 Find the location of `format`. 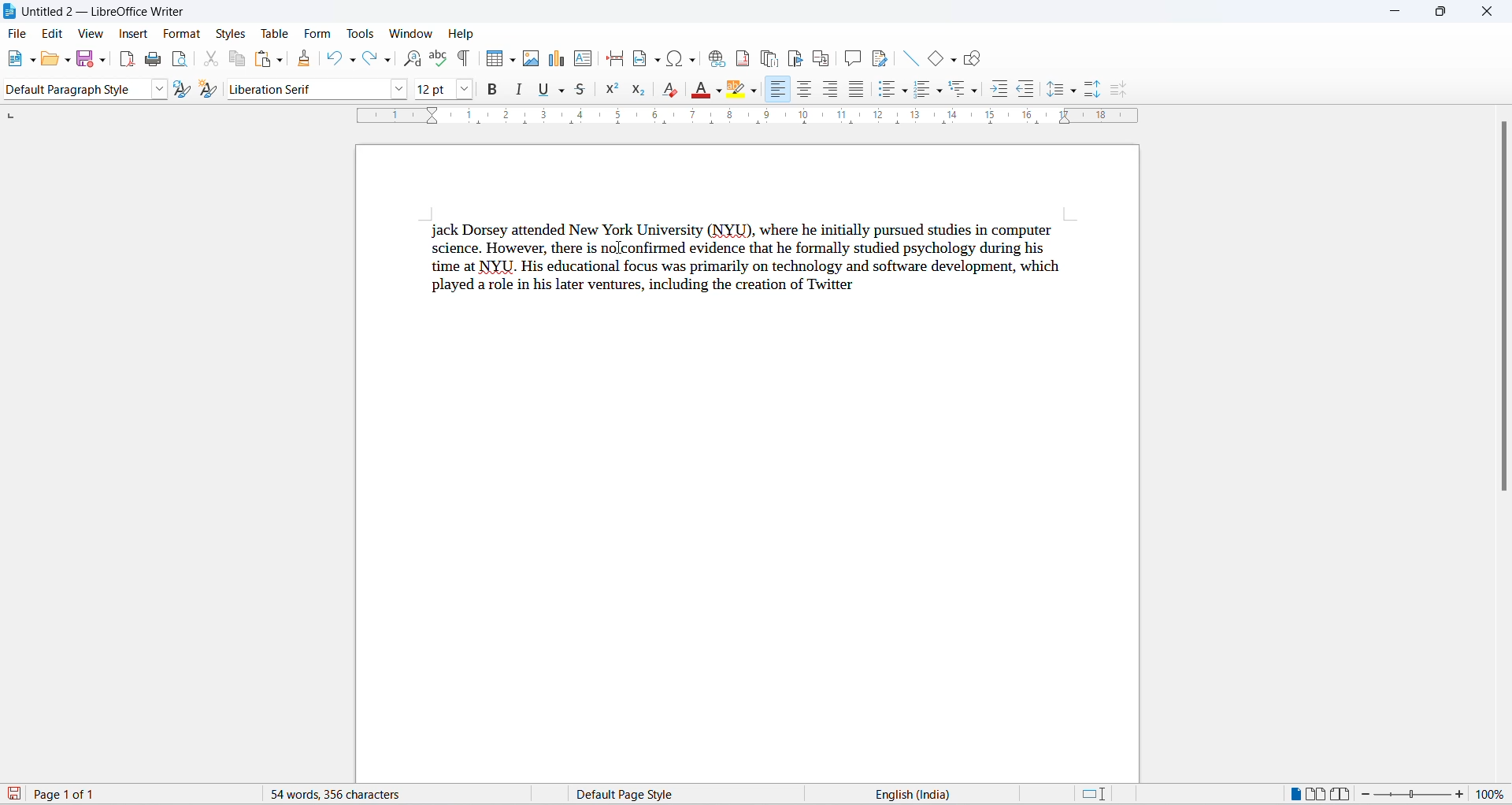

format is located at coordinates (183, 34).